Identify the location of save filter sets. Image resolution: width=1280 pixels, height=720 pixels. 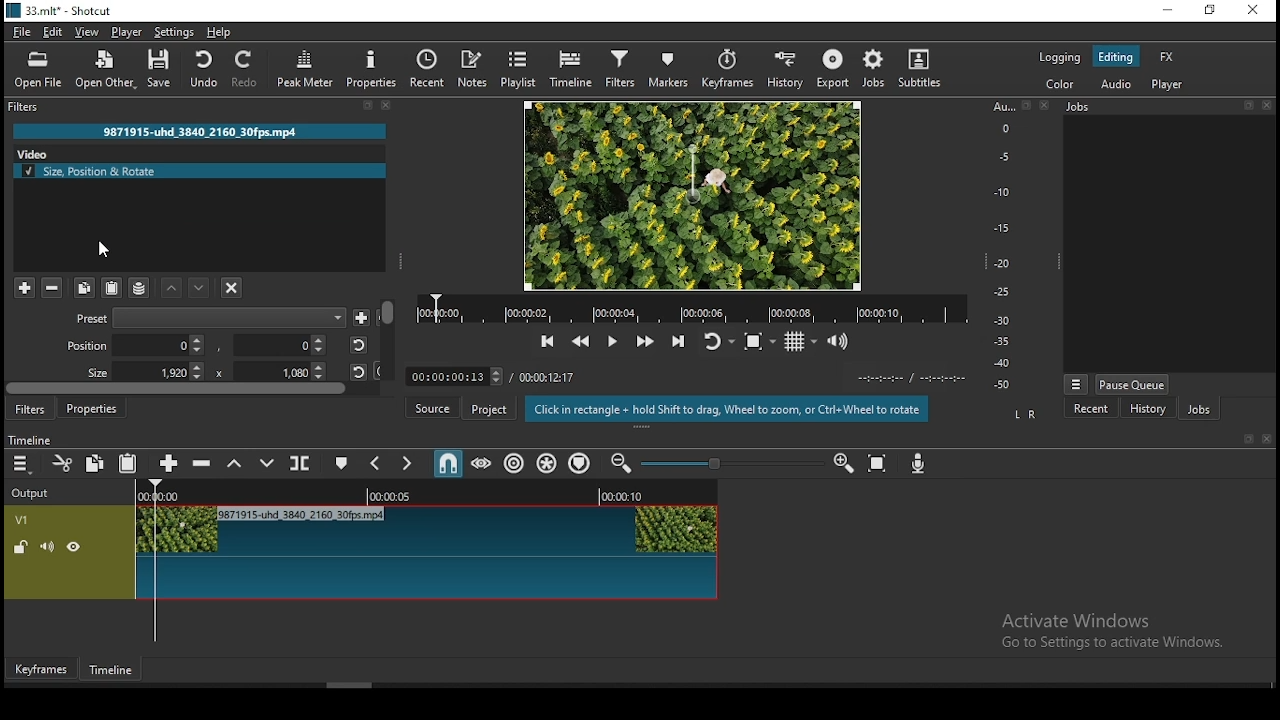
(139, 288).